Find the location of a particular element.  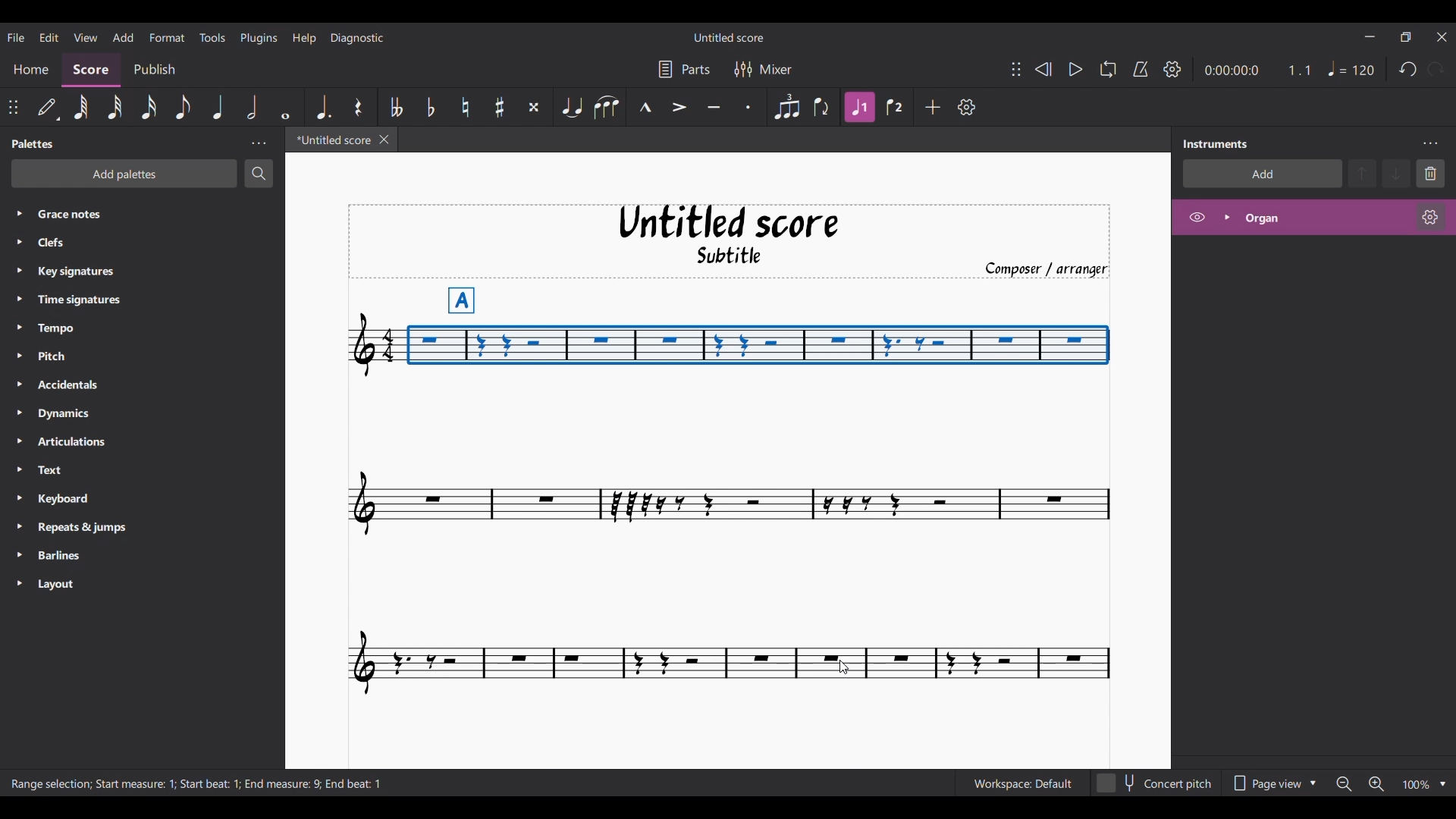

Tools menu is located at coordinates (212, 38).